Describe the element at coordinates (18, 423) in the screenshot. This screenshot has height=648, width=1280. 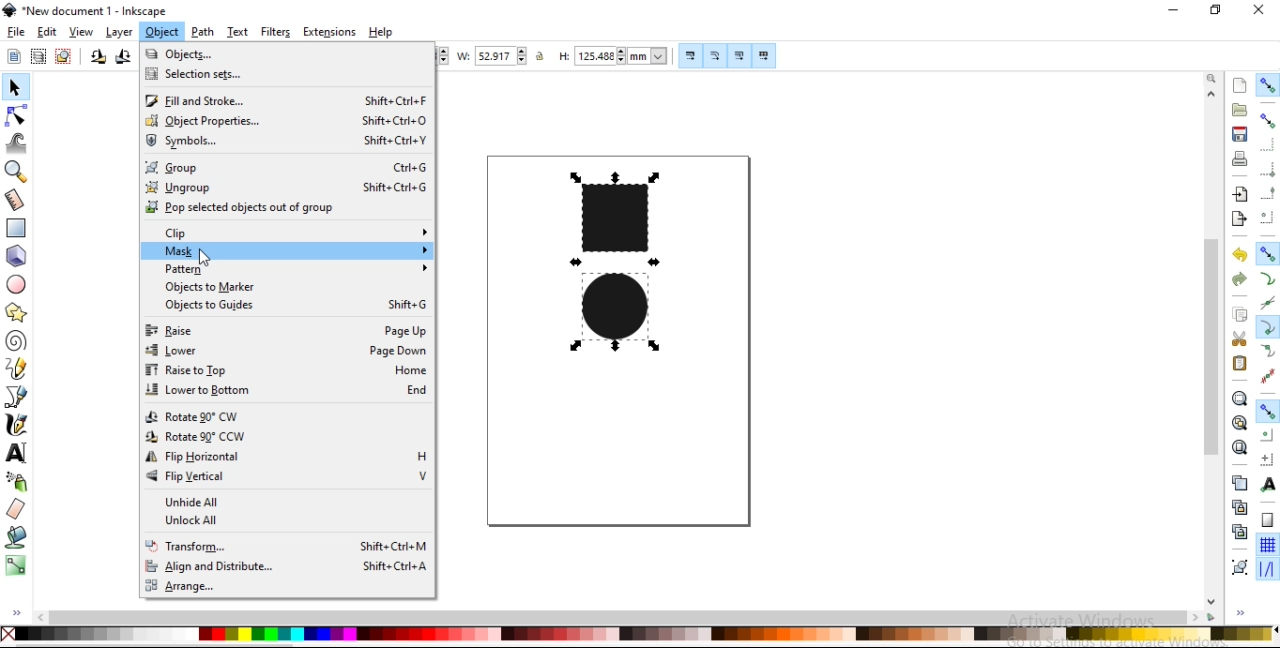
I see `draw calligraphic or brush strokes` at that location.